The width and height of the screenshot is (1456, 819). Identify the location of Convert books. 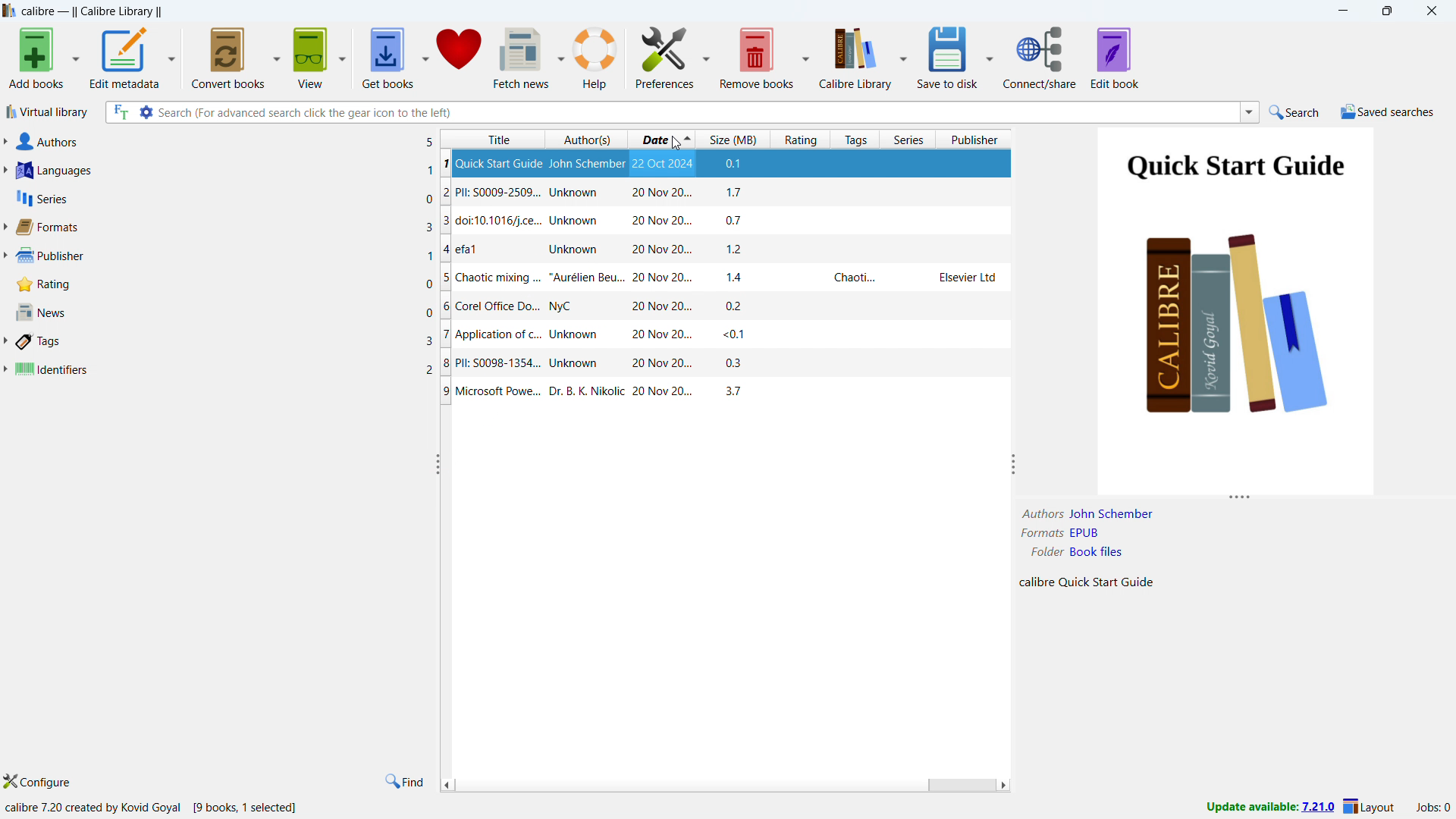
(229, 55).